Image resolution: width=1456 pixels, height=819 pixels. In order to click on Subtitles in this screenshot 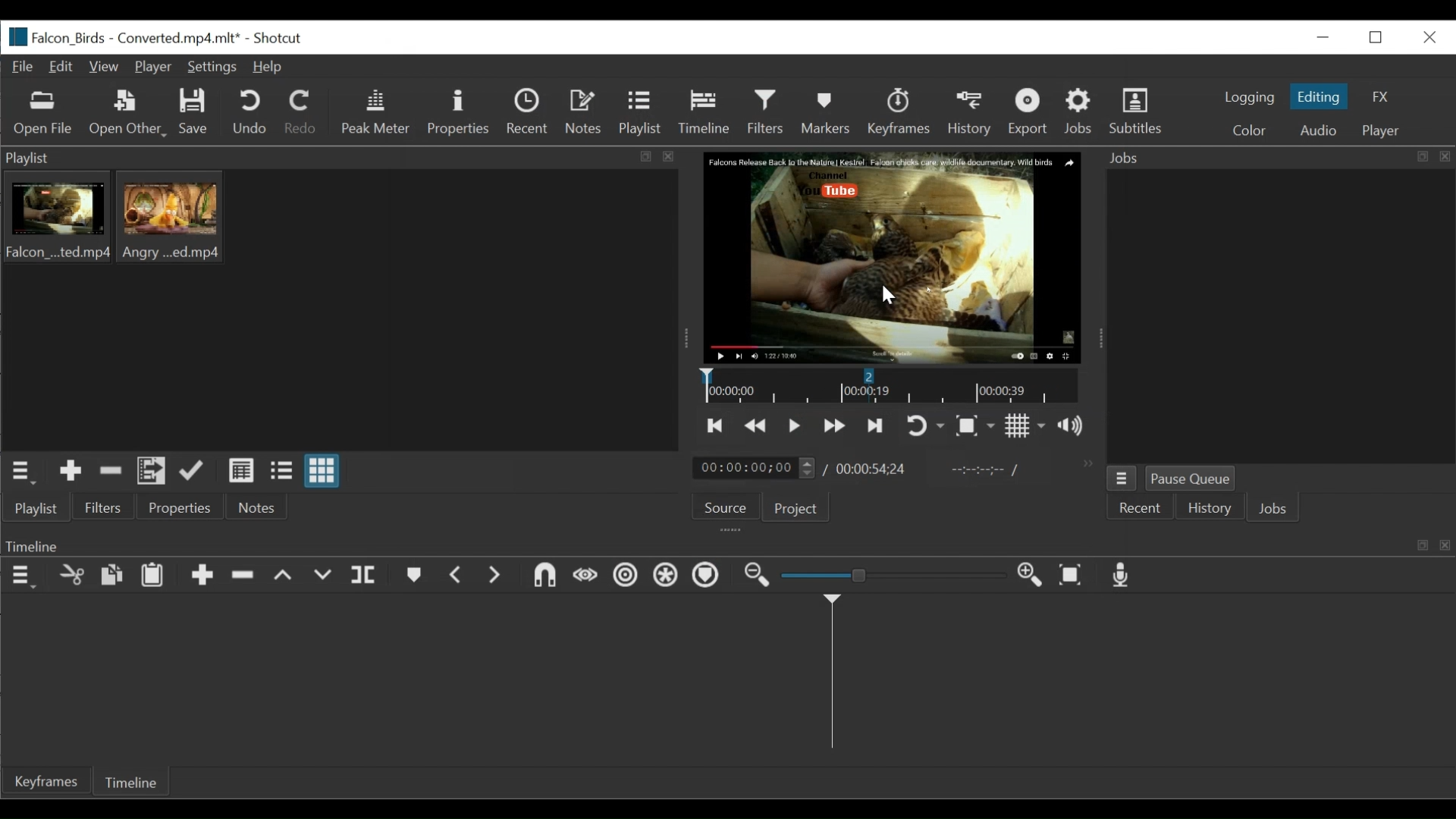, I will do `click(1141, 114)`.